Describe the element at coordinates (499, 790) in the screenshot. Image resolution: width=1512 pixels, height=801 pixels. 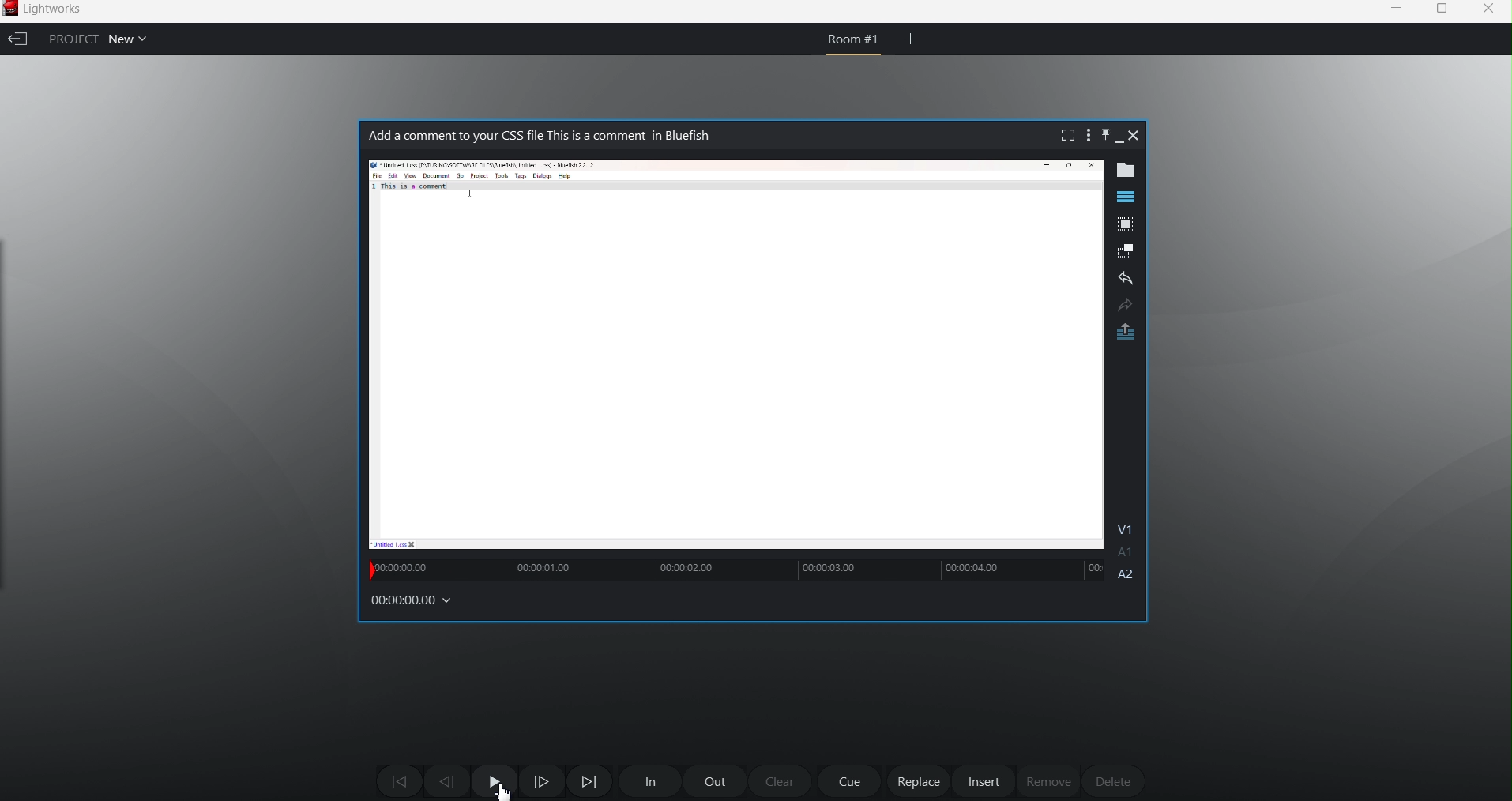
I see `cursor` at that location.